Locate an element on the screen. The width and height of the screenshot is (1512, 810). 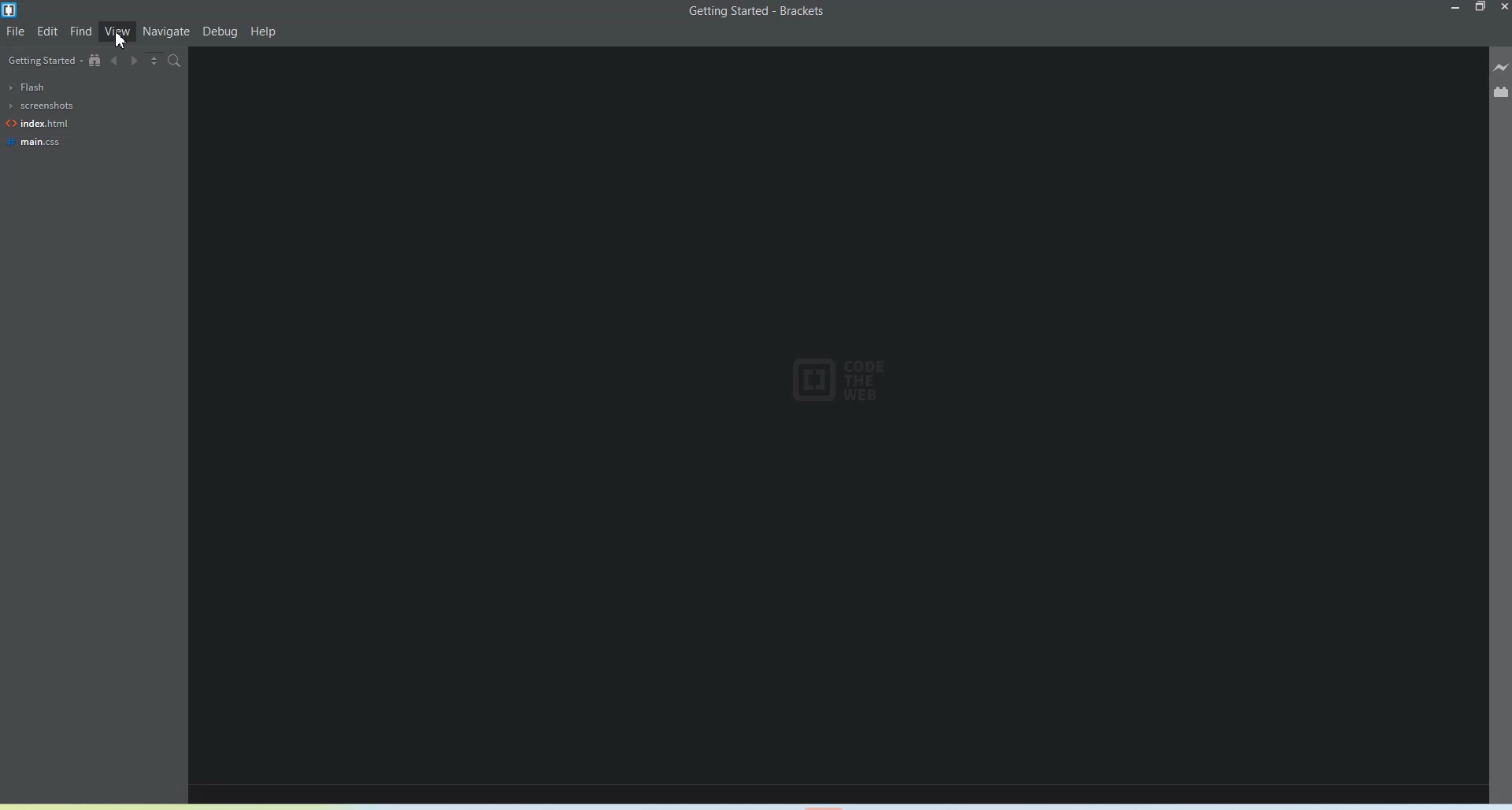
cursor is located at coordinates (121, 40).